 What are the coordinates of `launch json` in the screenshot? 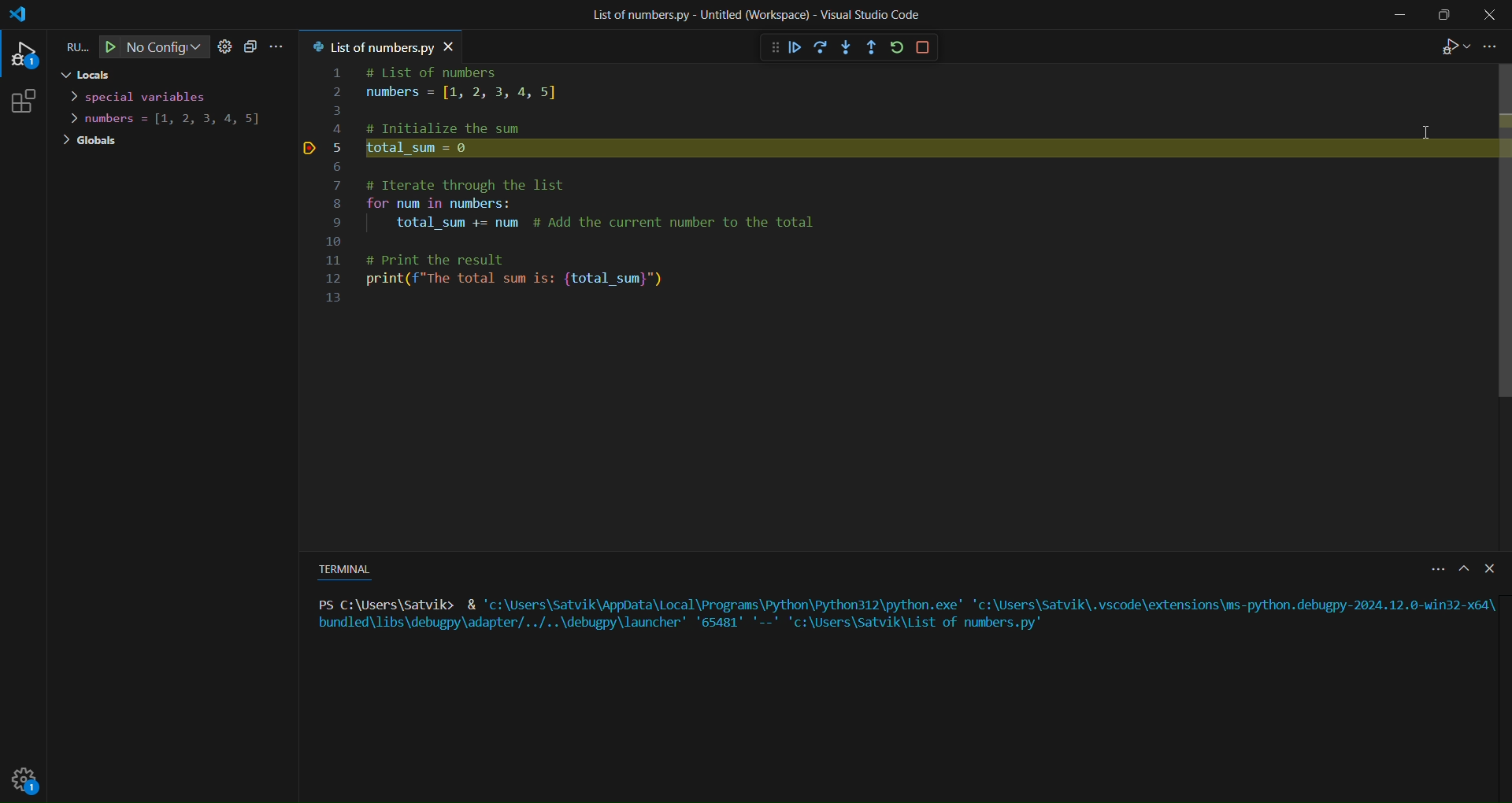 It's located at (225, 46).